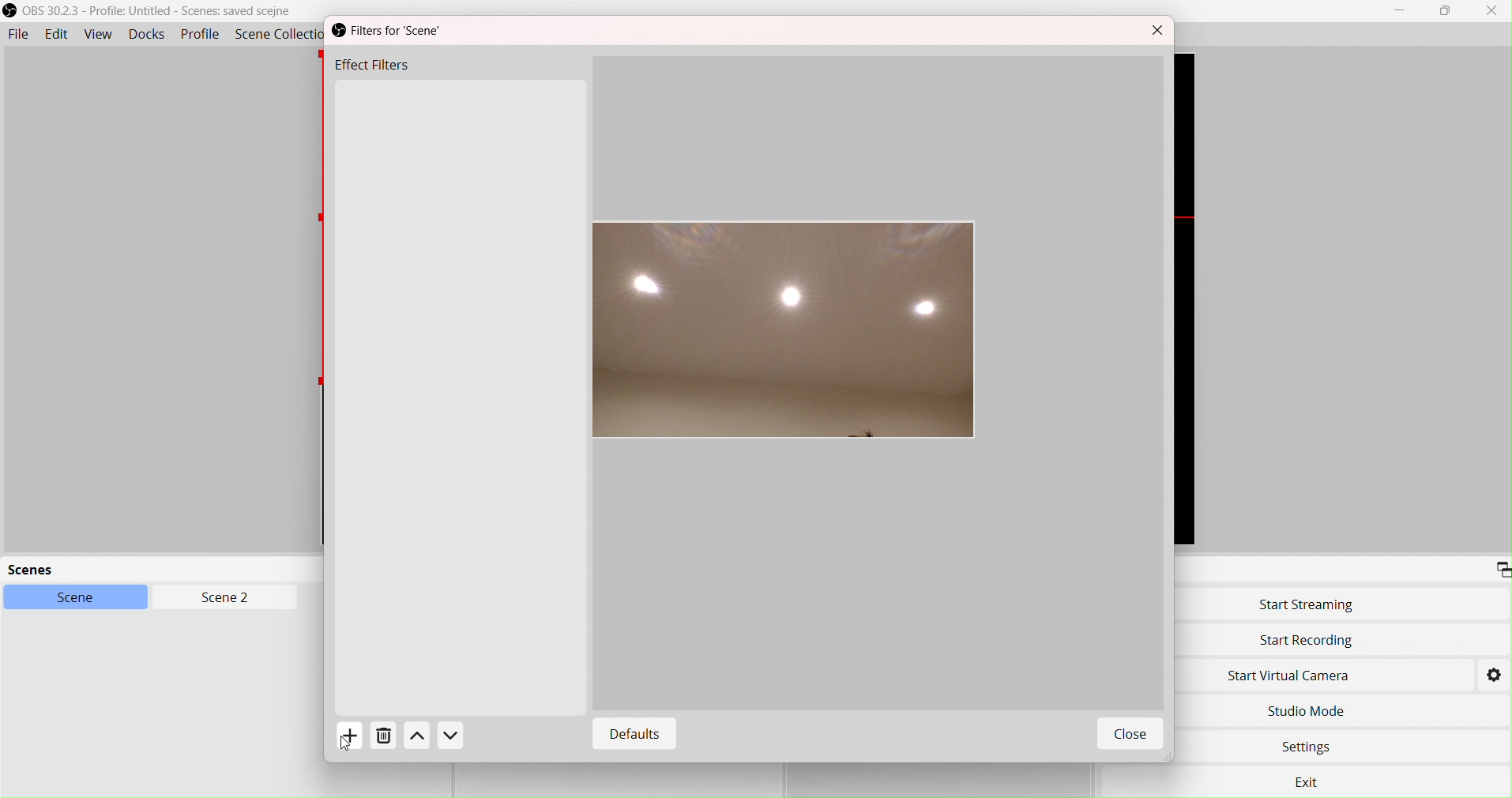  I want to click on box, so click(1448, 12).